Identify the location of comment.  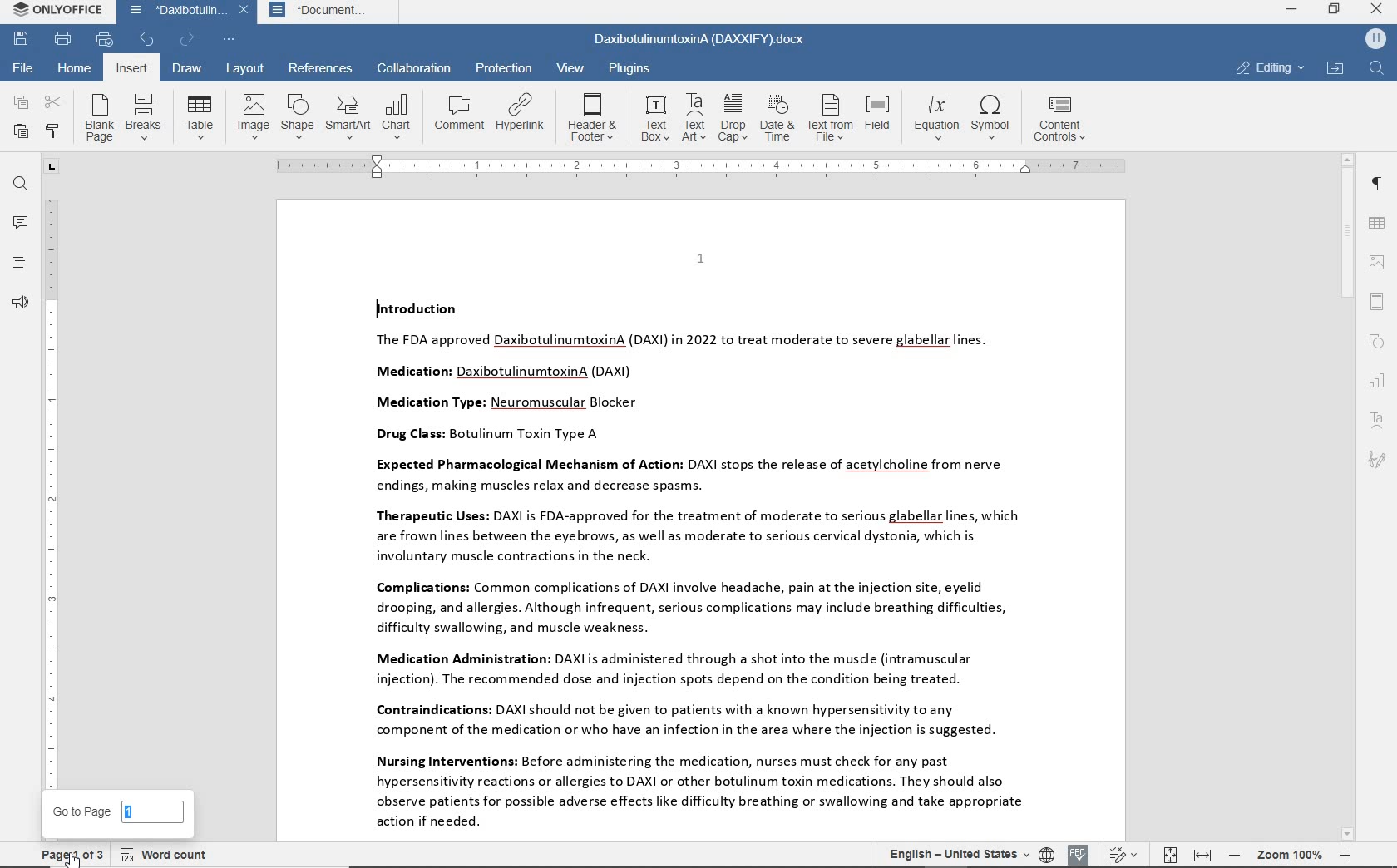
(460, 111).